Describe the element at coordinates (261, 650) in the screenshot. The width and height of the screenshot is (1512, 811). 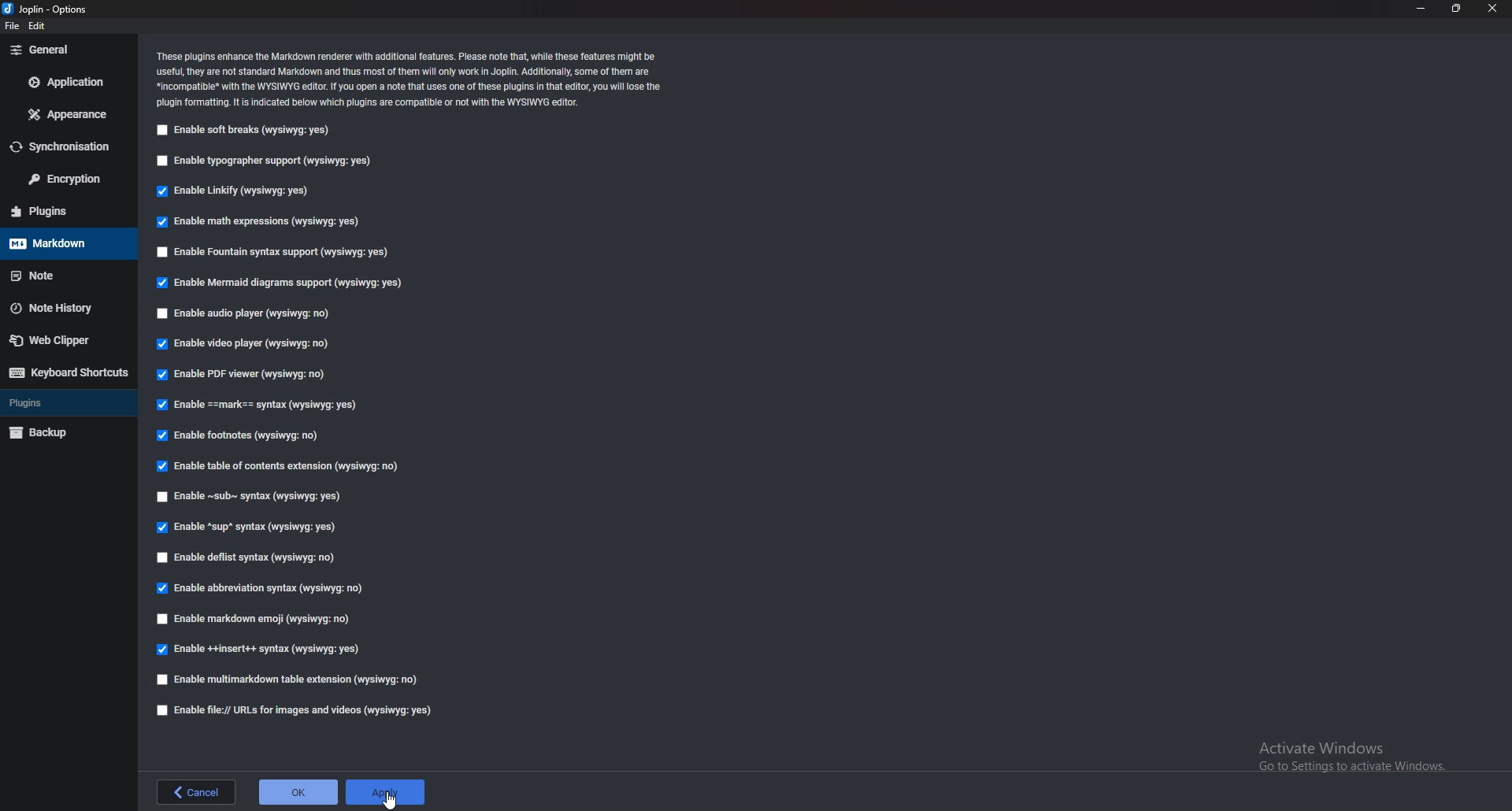
I see `enable insert syntax` at that location.